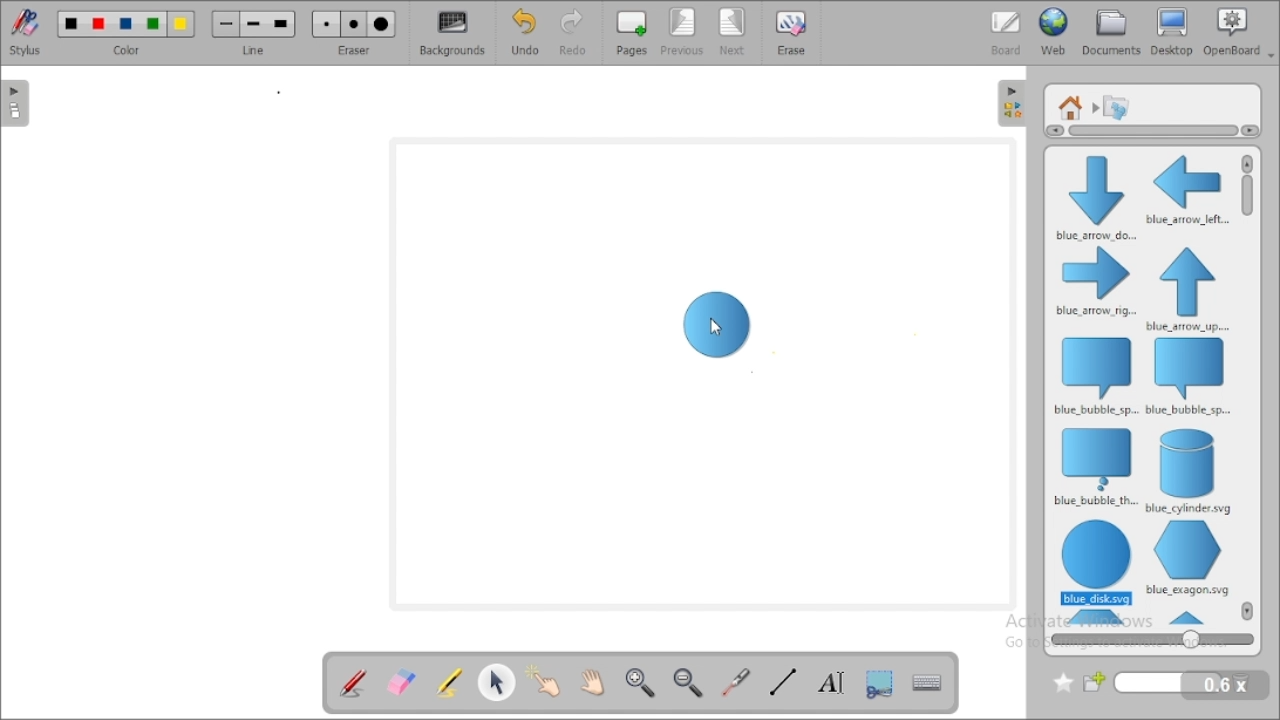  Describe the element at coordinates (1093, 196) in the screenshot. I see `blue arrow down` at that location.